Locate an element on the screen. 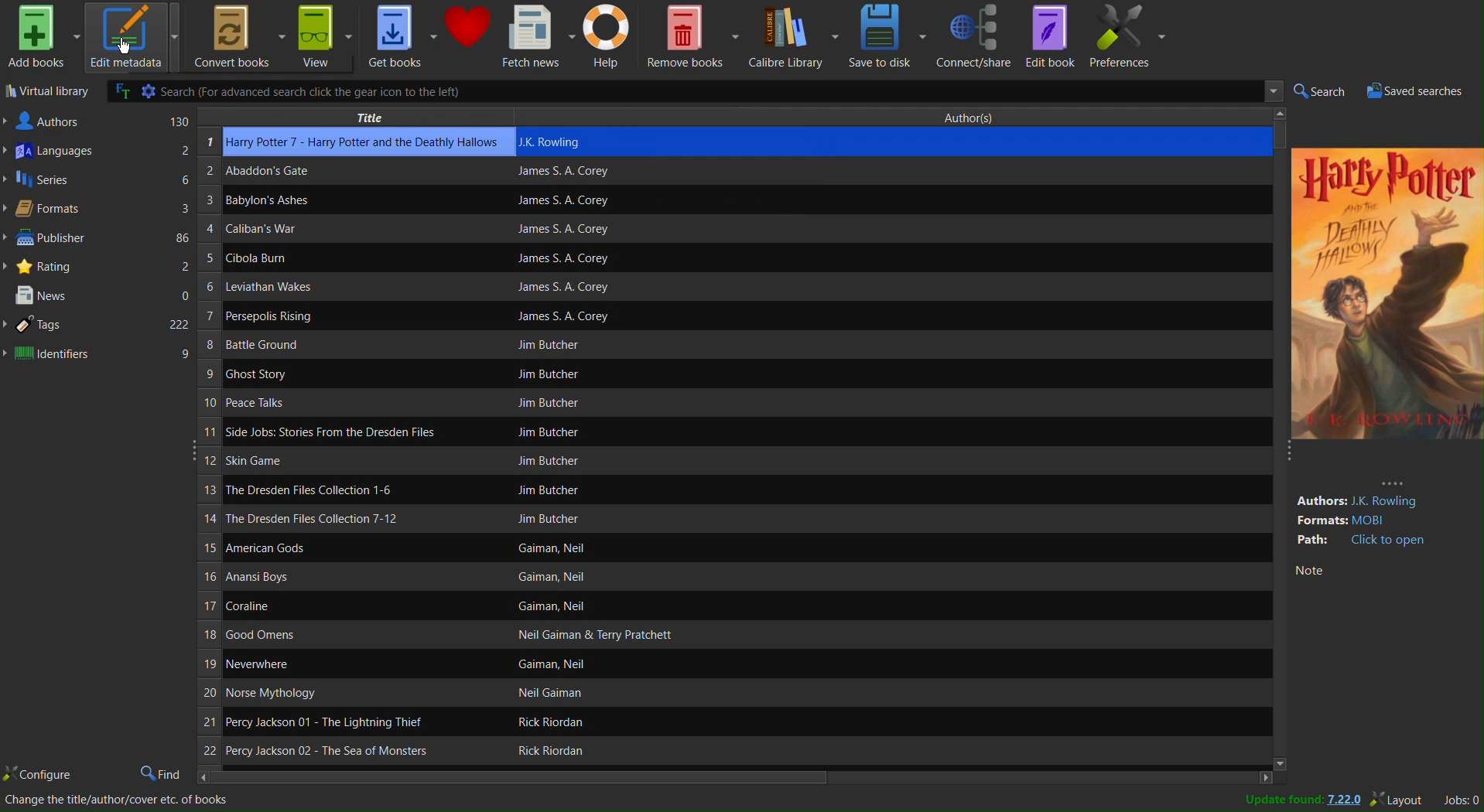 The width and height of the screenshot is (1484, 812). Saved searches is located at coordinates (1423, 90).